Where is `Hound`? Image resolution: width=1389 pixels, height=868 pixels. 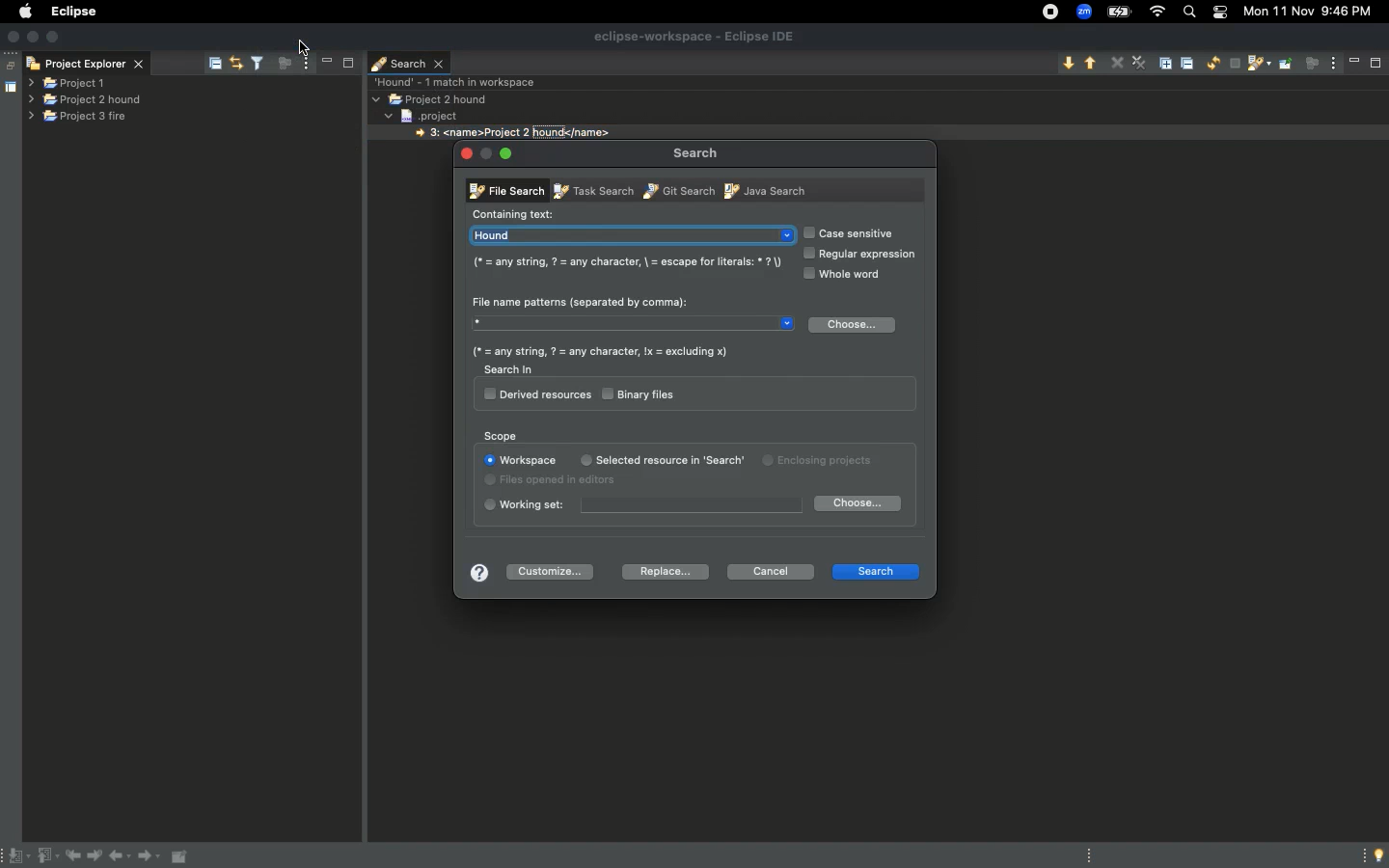
Hound is located at coordinates (631, 235).